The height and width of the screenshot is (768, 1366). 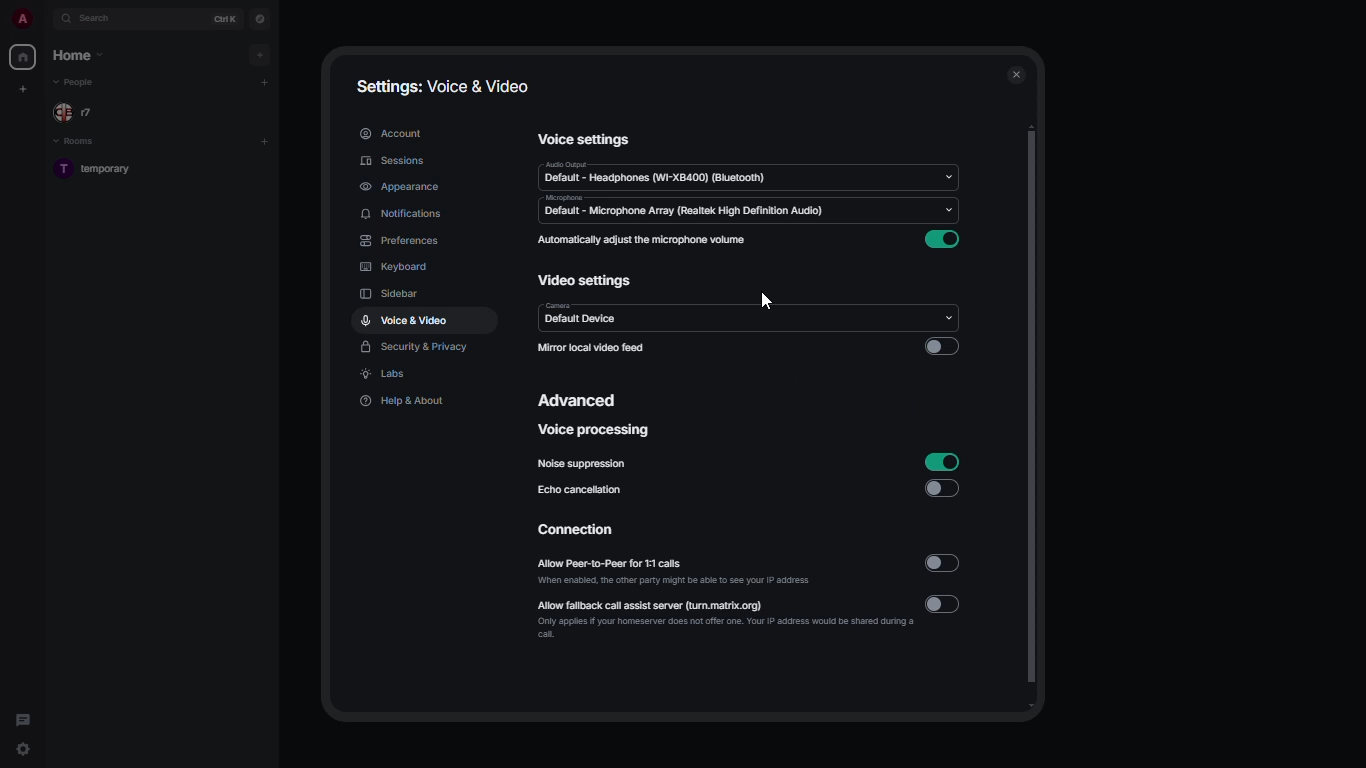 I want to click on drop down, so click(x=950, y=211).